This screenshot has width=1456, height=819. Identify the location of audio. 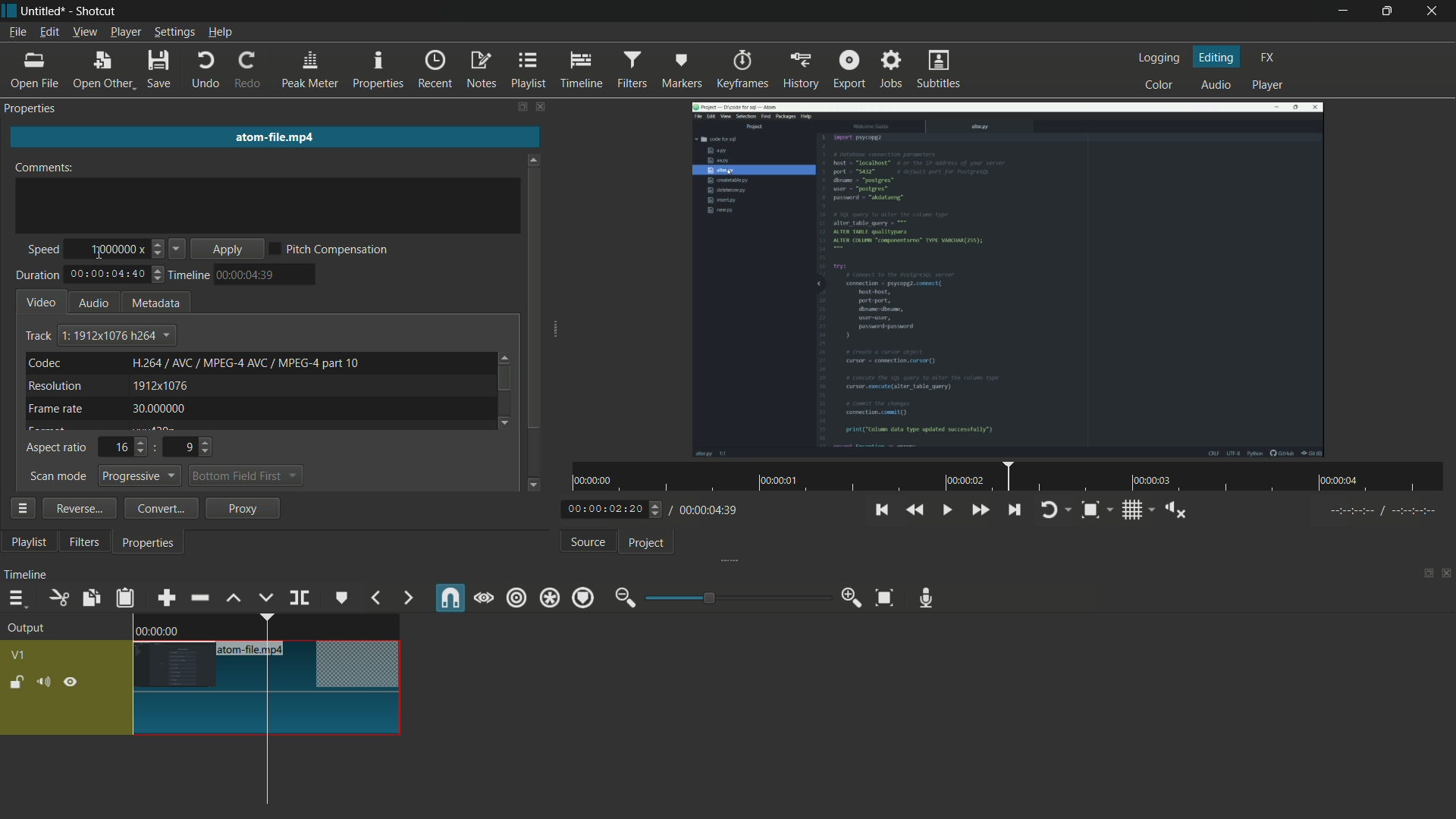
(1217, 83).